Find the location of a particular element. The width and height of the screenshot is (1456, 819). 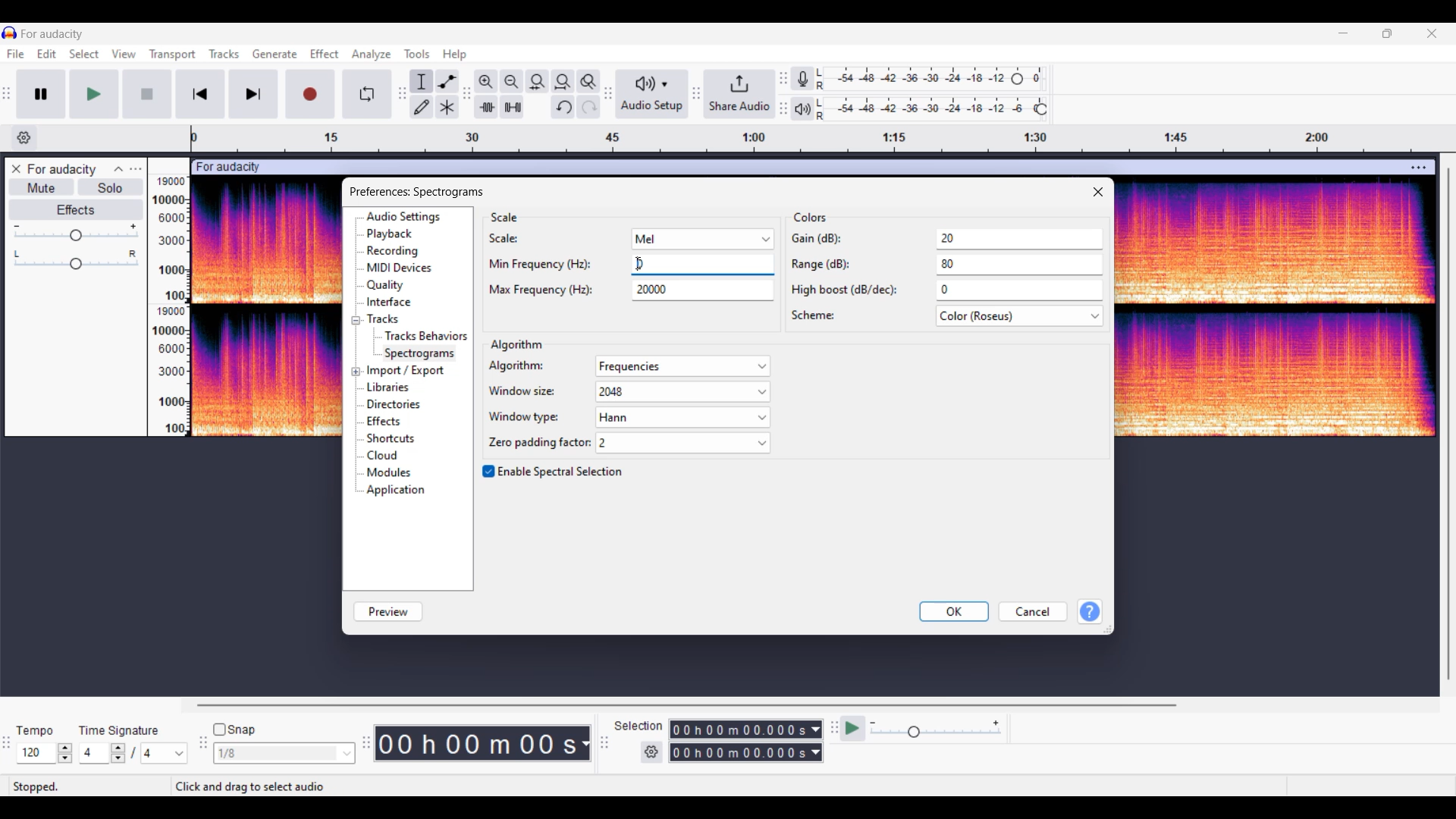

import/export is located at coordinates (409, 369).